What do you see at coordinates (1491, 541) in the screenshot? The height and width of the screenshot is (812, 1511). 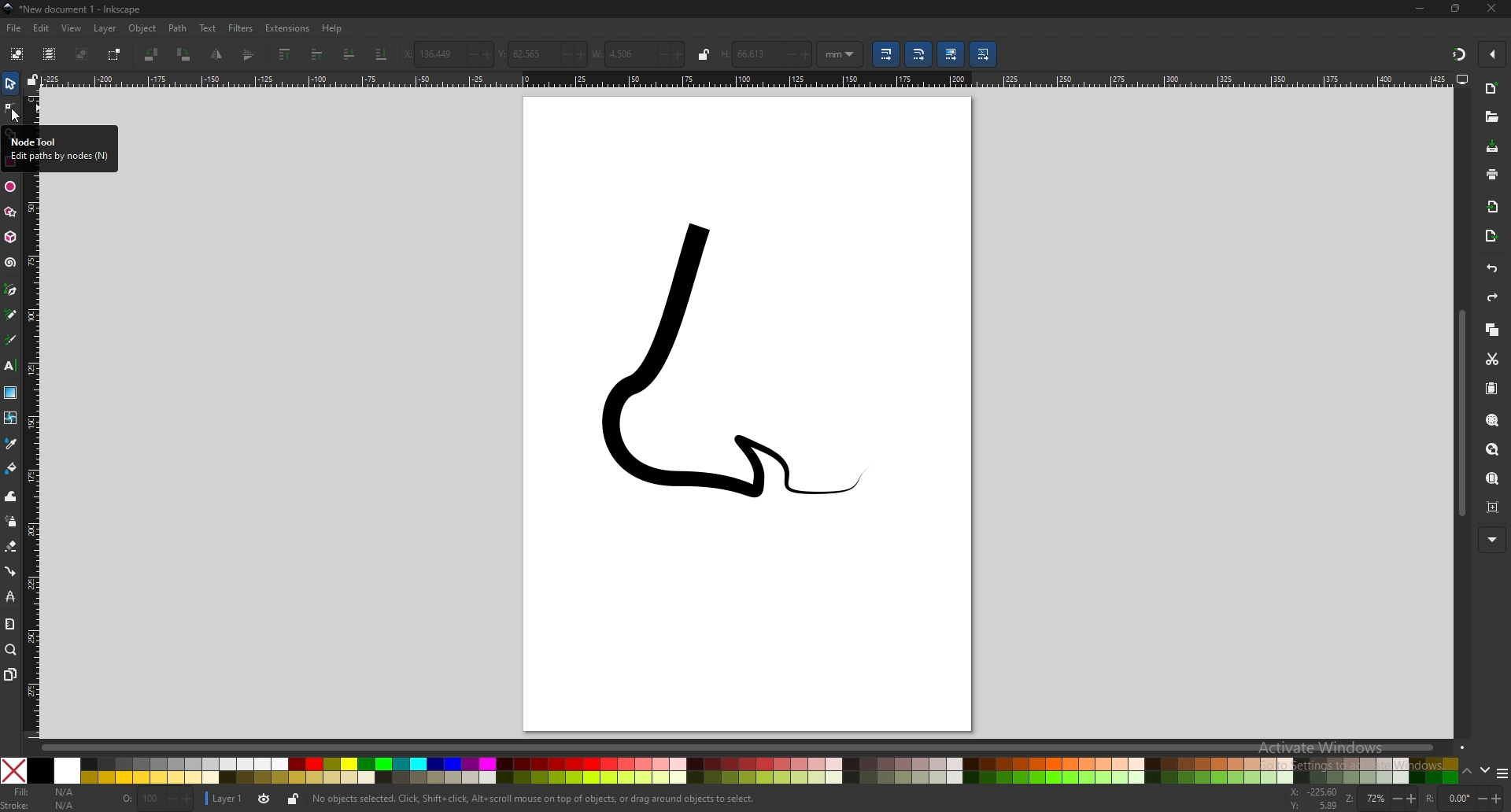 I see `more` at bounding box center [1491, 541].